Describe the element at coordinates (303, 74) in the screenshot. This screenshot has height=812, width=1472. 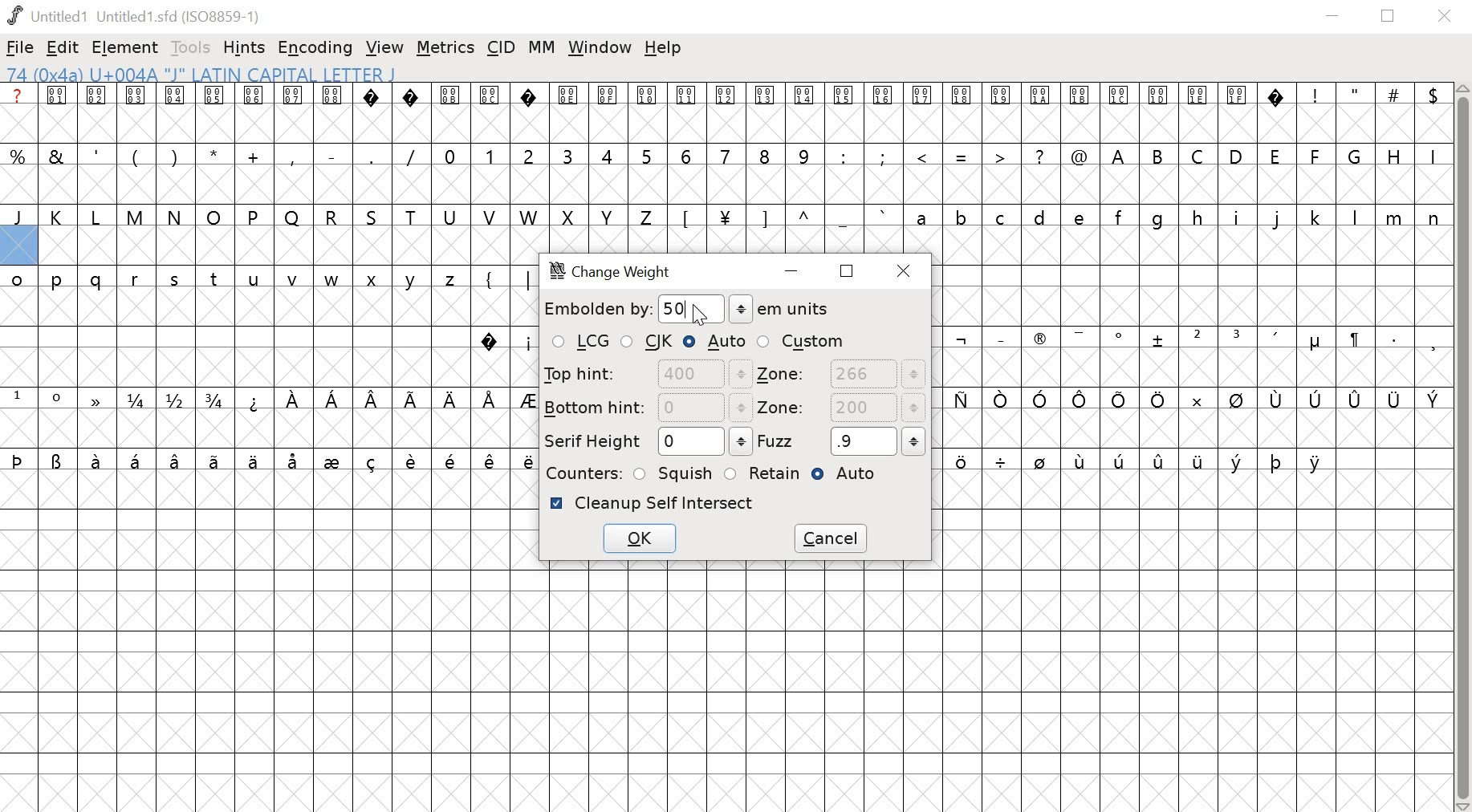
I see `74 (0x4a) U+004A "J" LATIN CAPITAL LETTER J` at that location.